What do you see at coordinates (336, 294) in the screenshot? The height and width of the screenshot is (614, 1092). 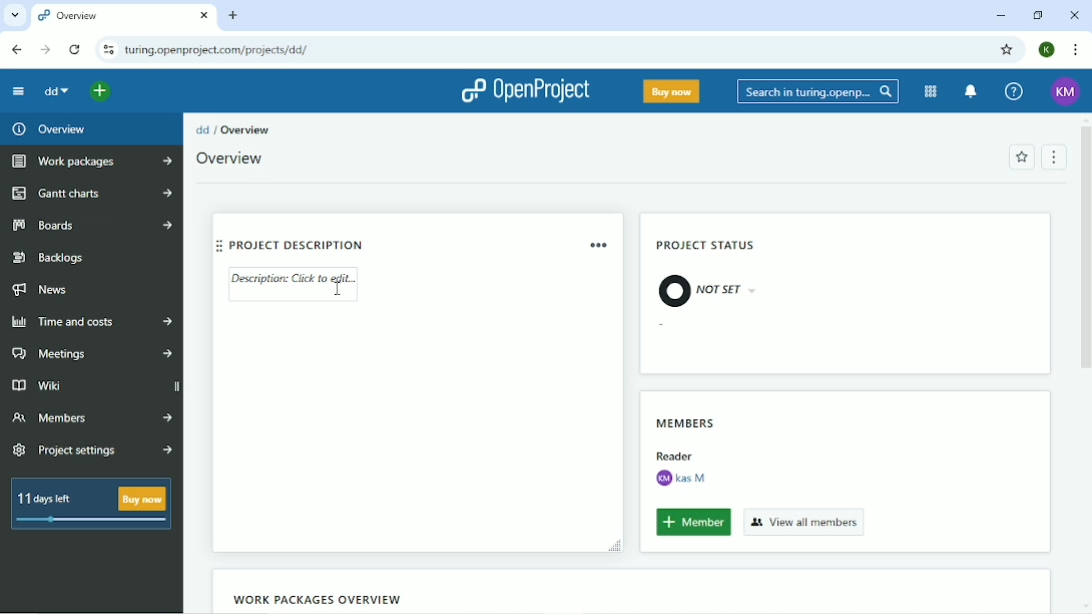 I see `cursor` at bounding box center [336, 294].